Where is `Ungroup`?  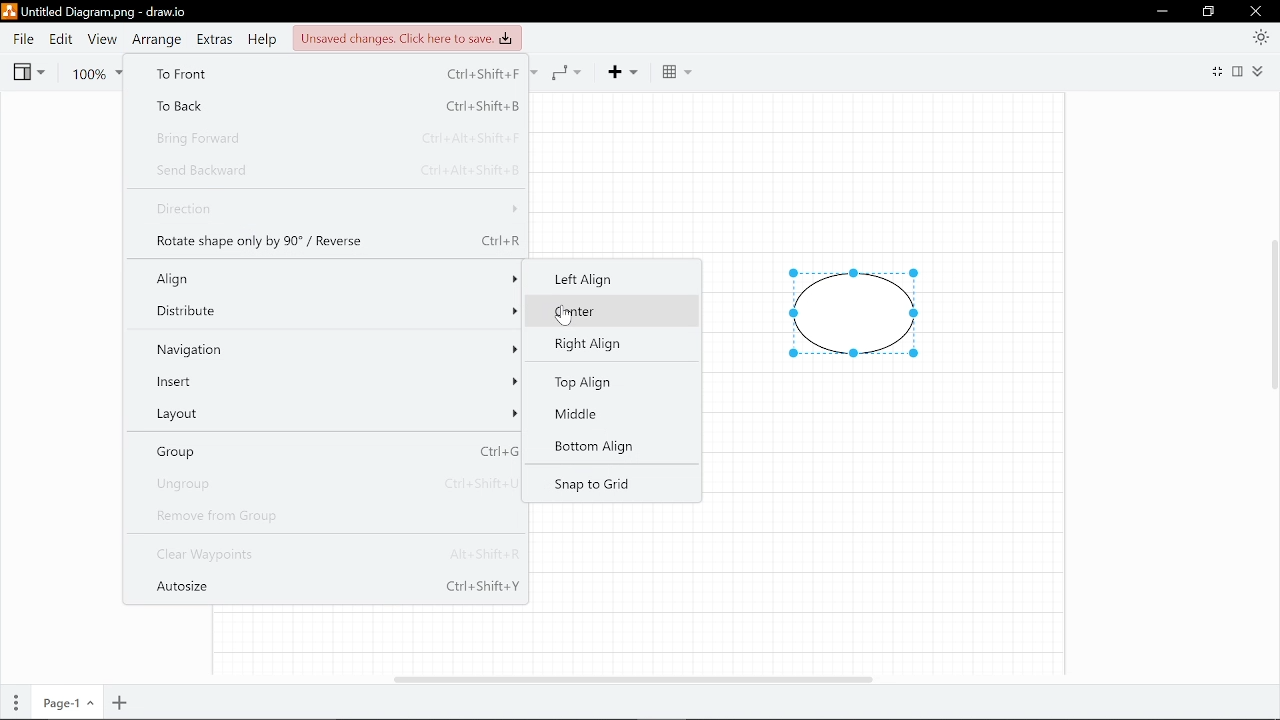
Ungroup is located at coordinates (330, 482).